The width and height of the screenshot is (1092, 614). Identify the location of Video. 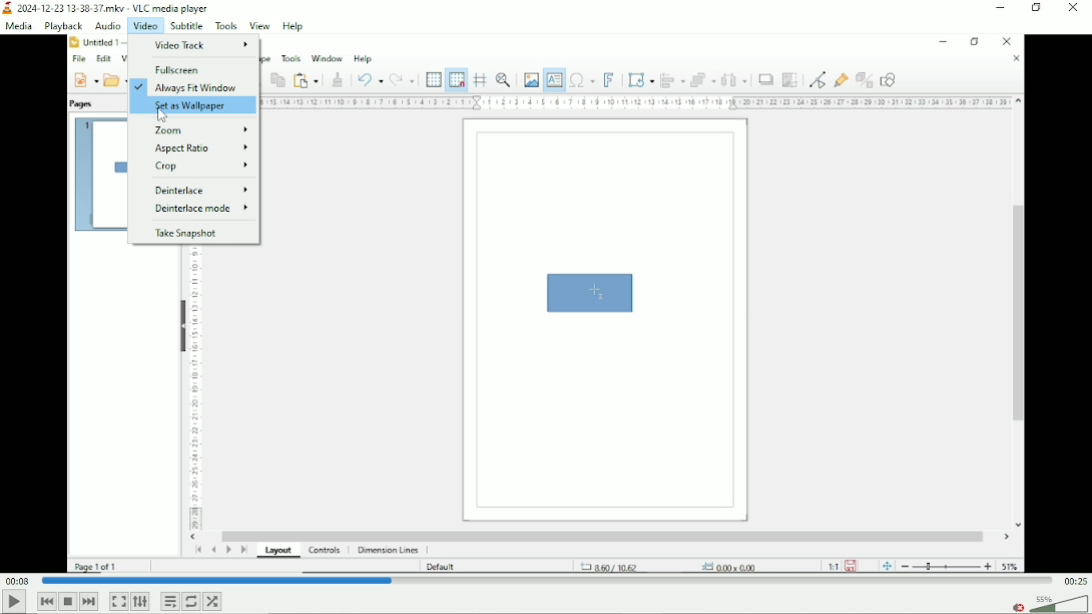
(652, 309).